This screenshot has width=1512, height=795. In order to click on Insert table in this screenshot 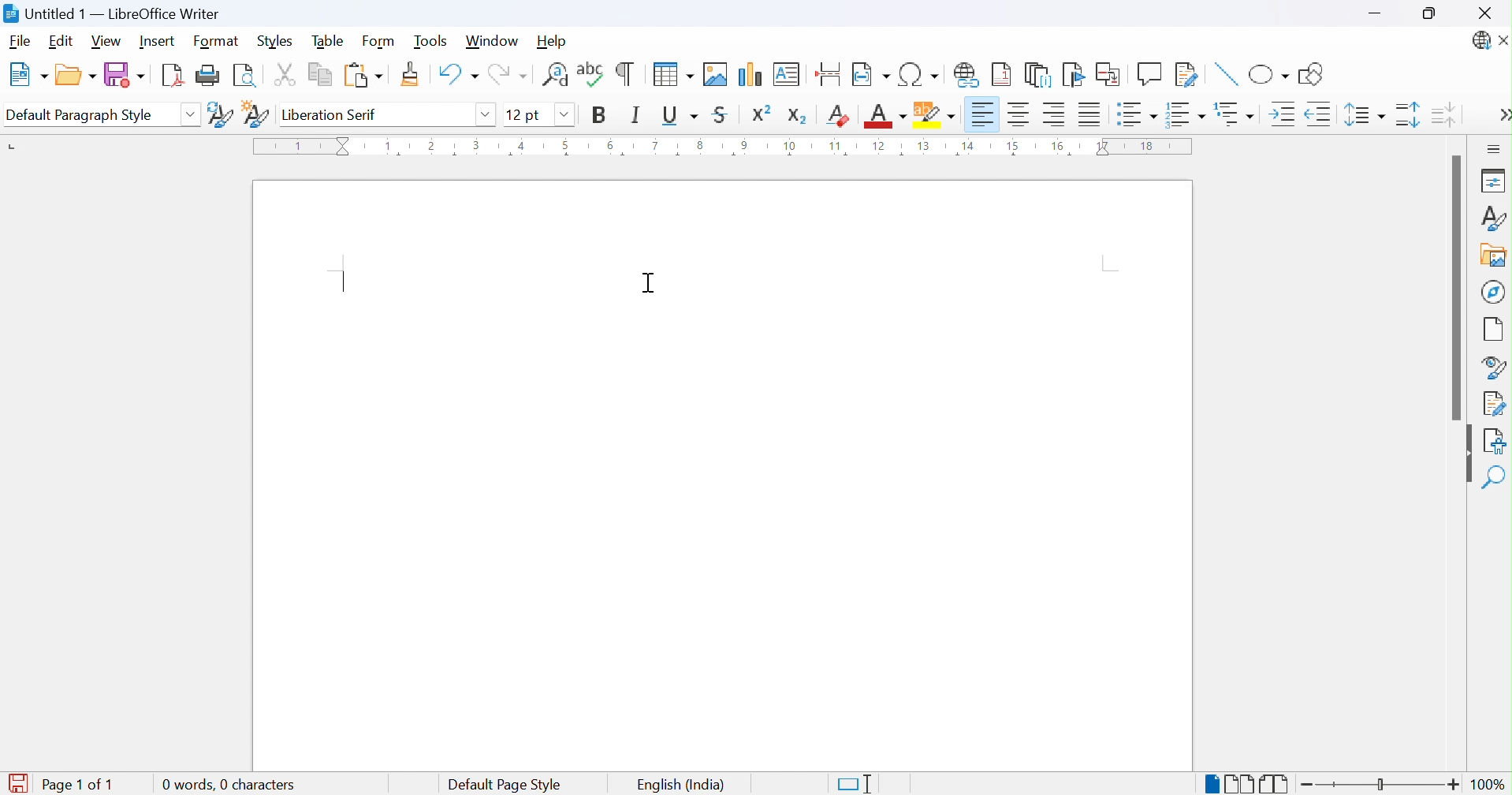, I will do `click(676, 73)`.